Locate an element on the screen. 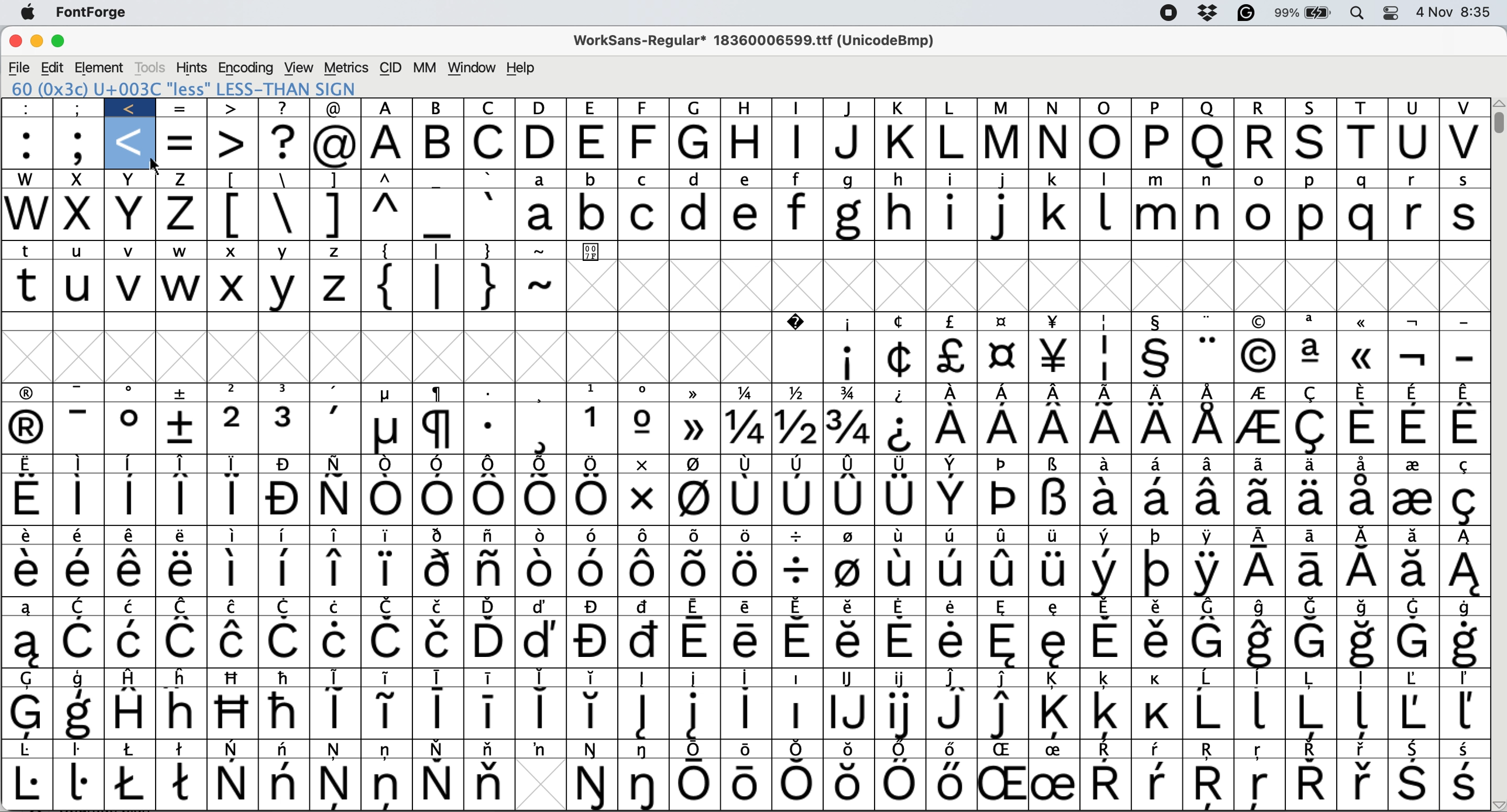  o is located at coordinates (1261, 215).